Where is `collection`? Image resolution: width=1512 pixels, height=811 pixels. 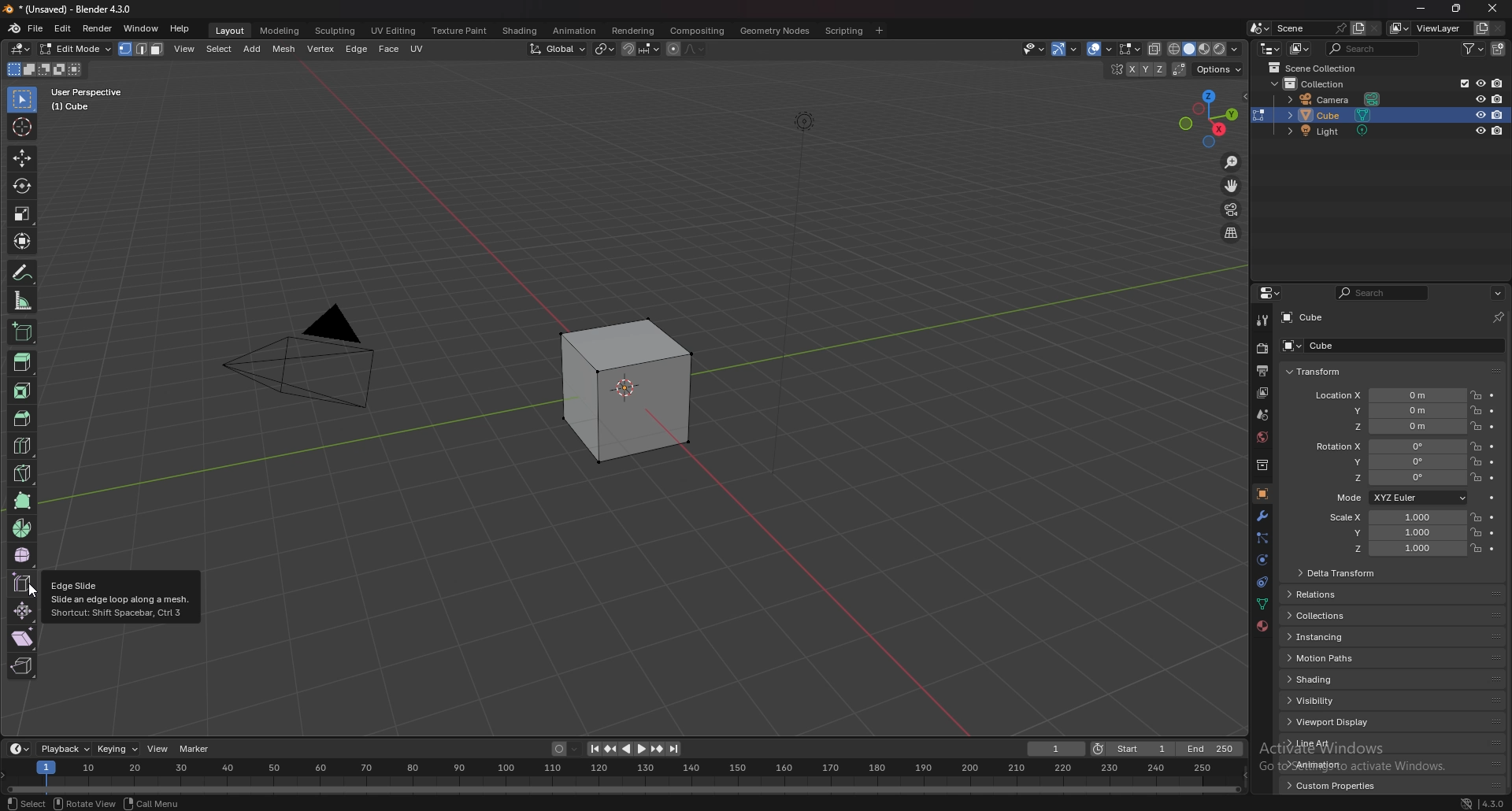
collection is located at coordinates (1317, 83).